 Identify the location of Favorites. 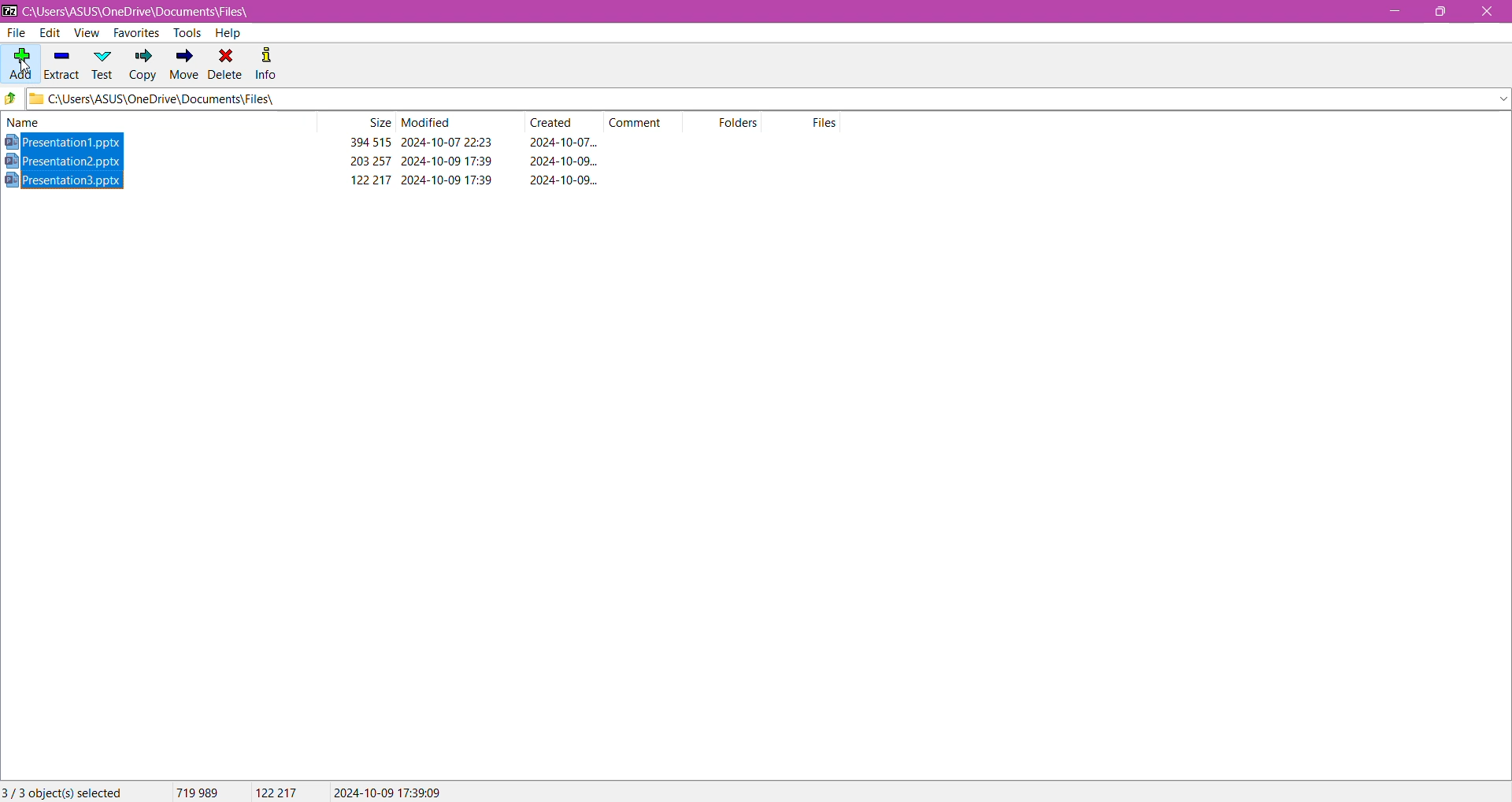
(135, 34).